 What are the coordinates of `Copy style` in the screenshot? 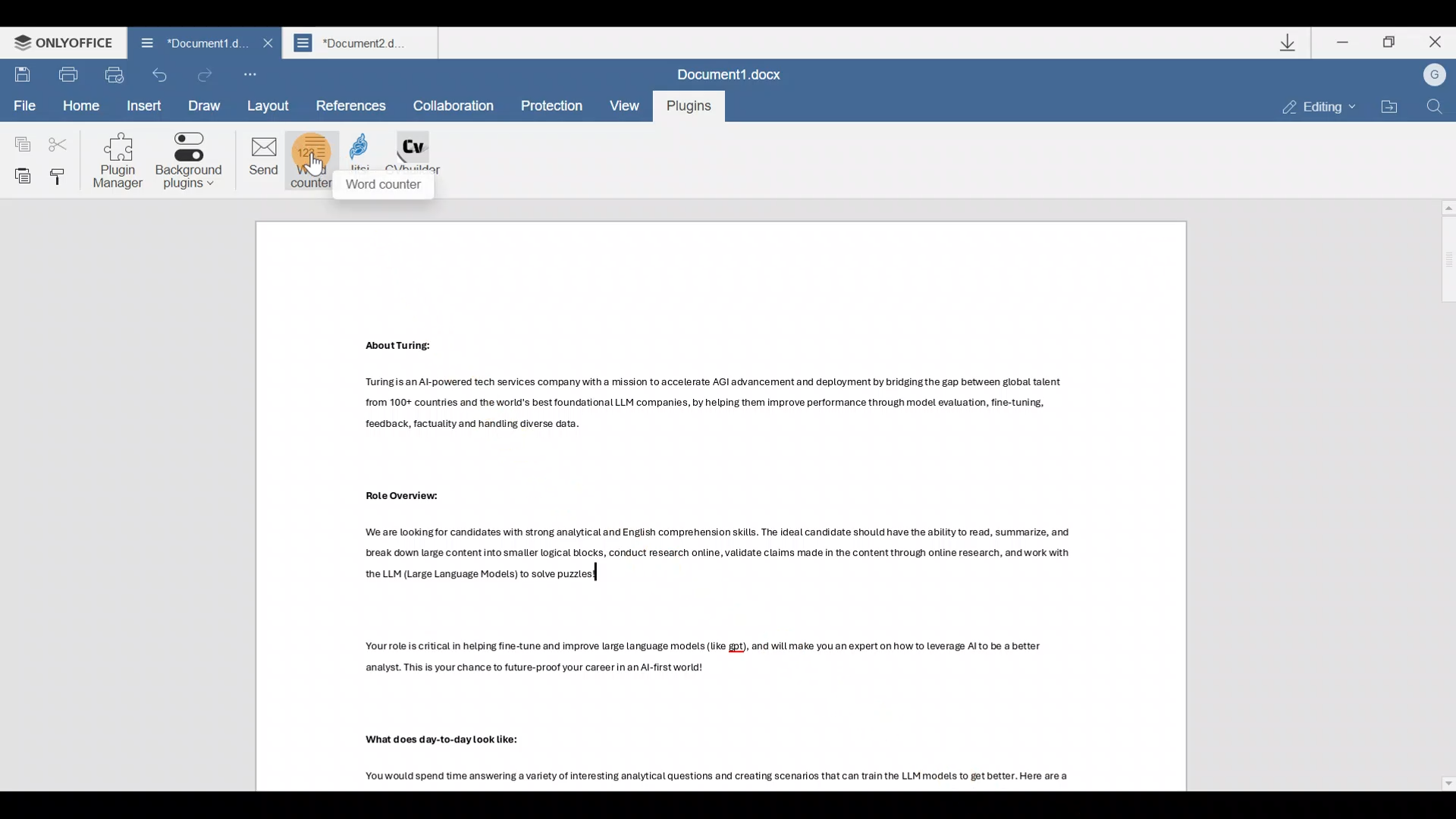 It's located at (64, 180).